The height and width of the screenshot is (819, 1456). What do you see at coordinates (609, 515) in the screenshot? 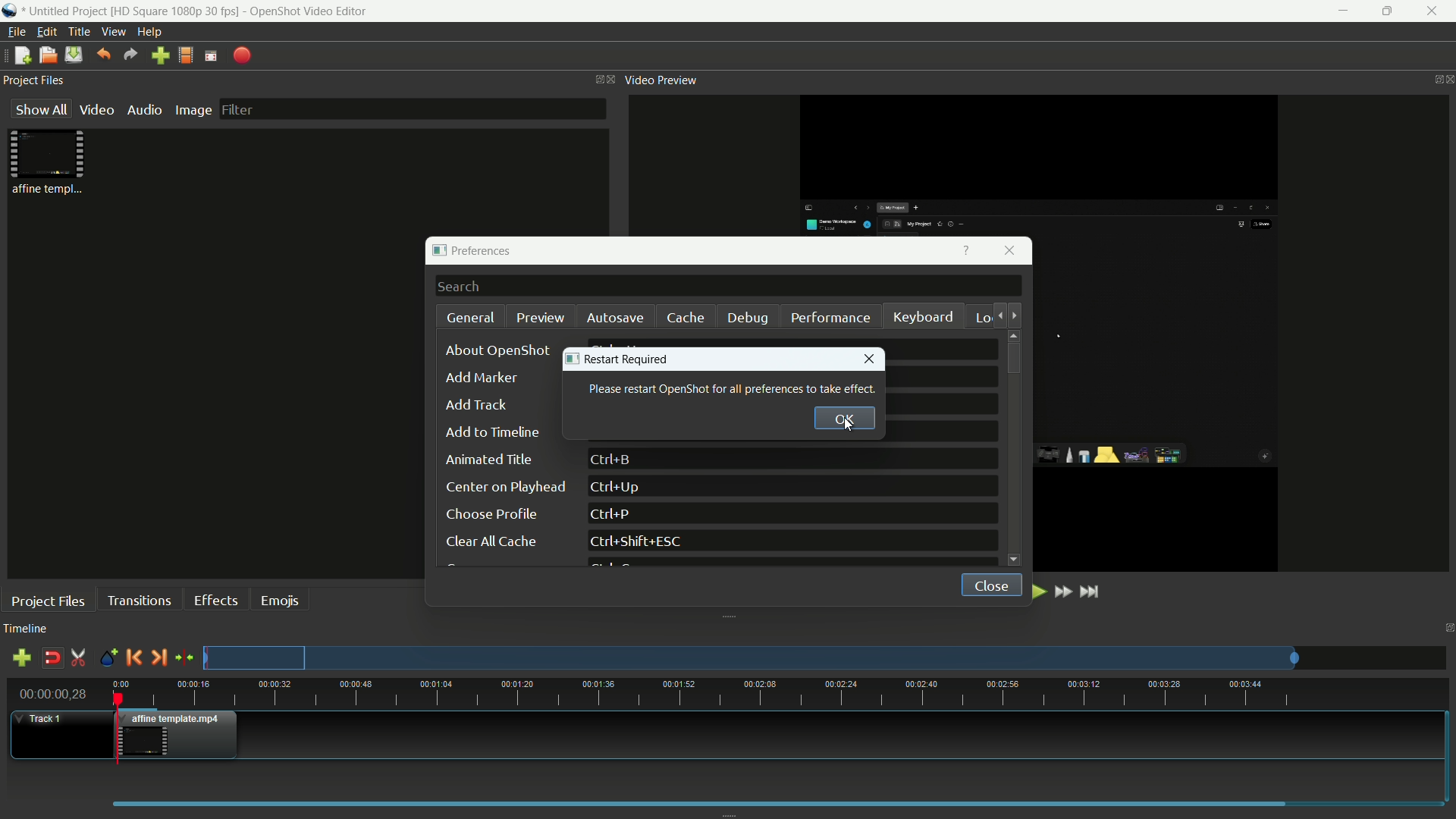
I see `keyboard shortcut` at bounding box center [609, 515].